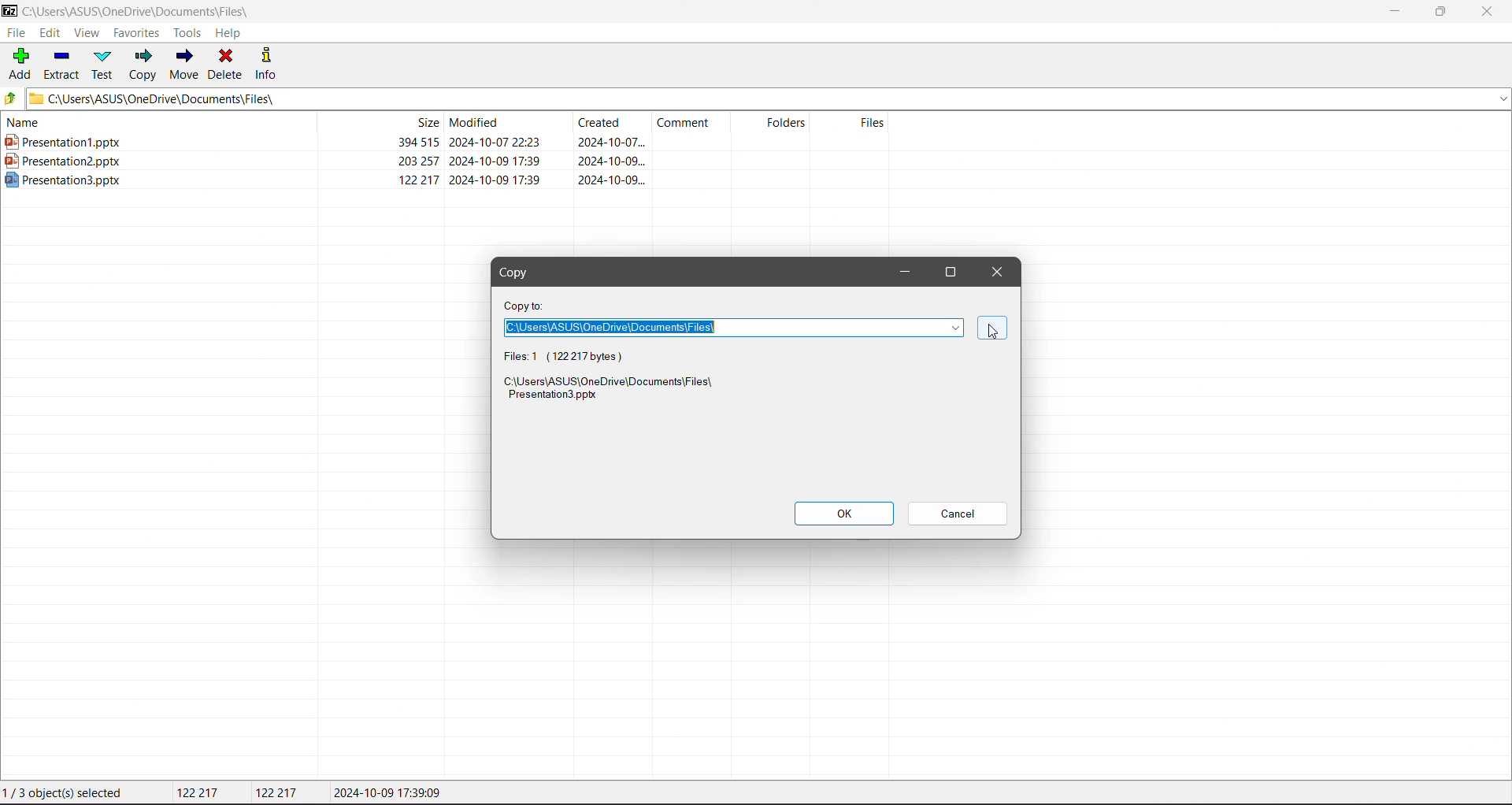  Describe the element at coordinates (50, 33) in the screenshot. I see `Edit` at that location.